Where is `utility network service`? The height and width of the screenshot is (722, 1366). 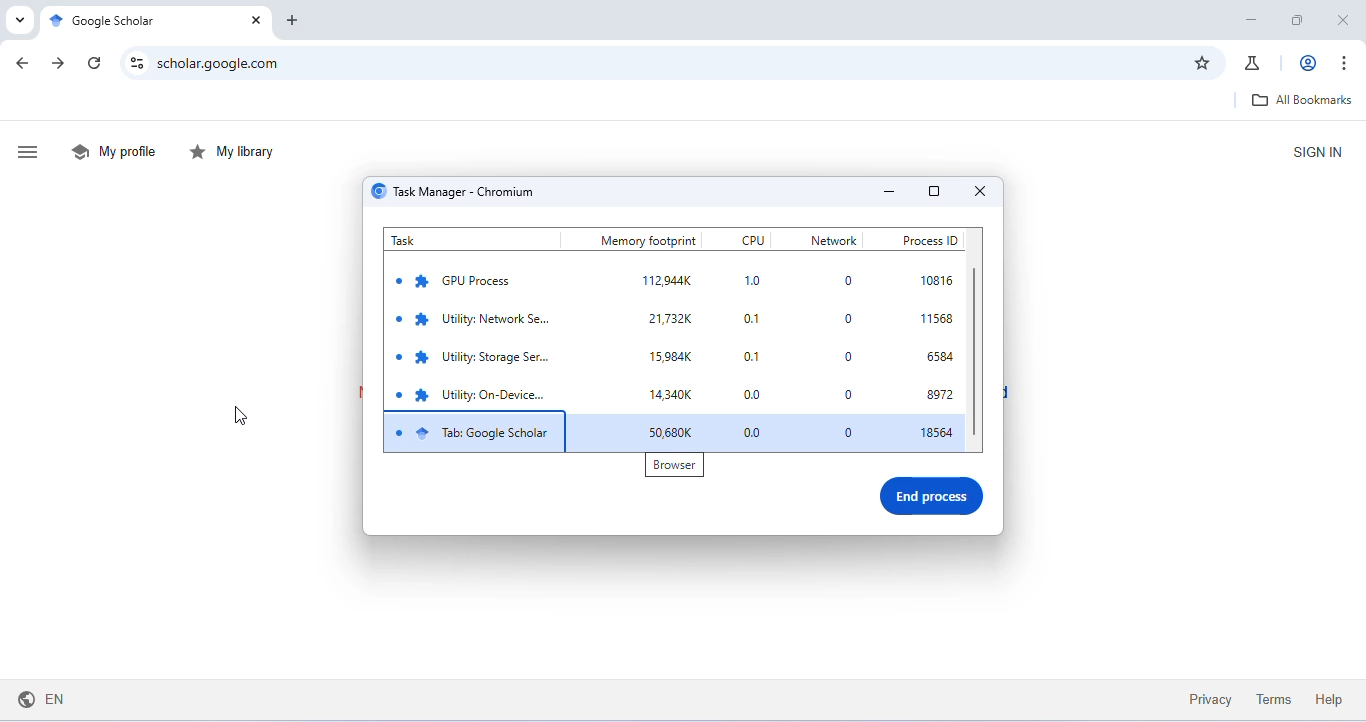
utility network service is located at coordinates (477, 321).